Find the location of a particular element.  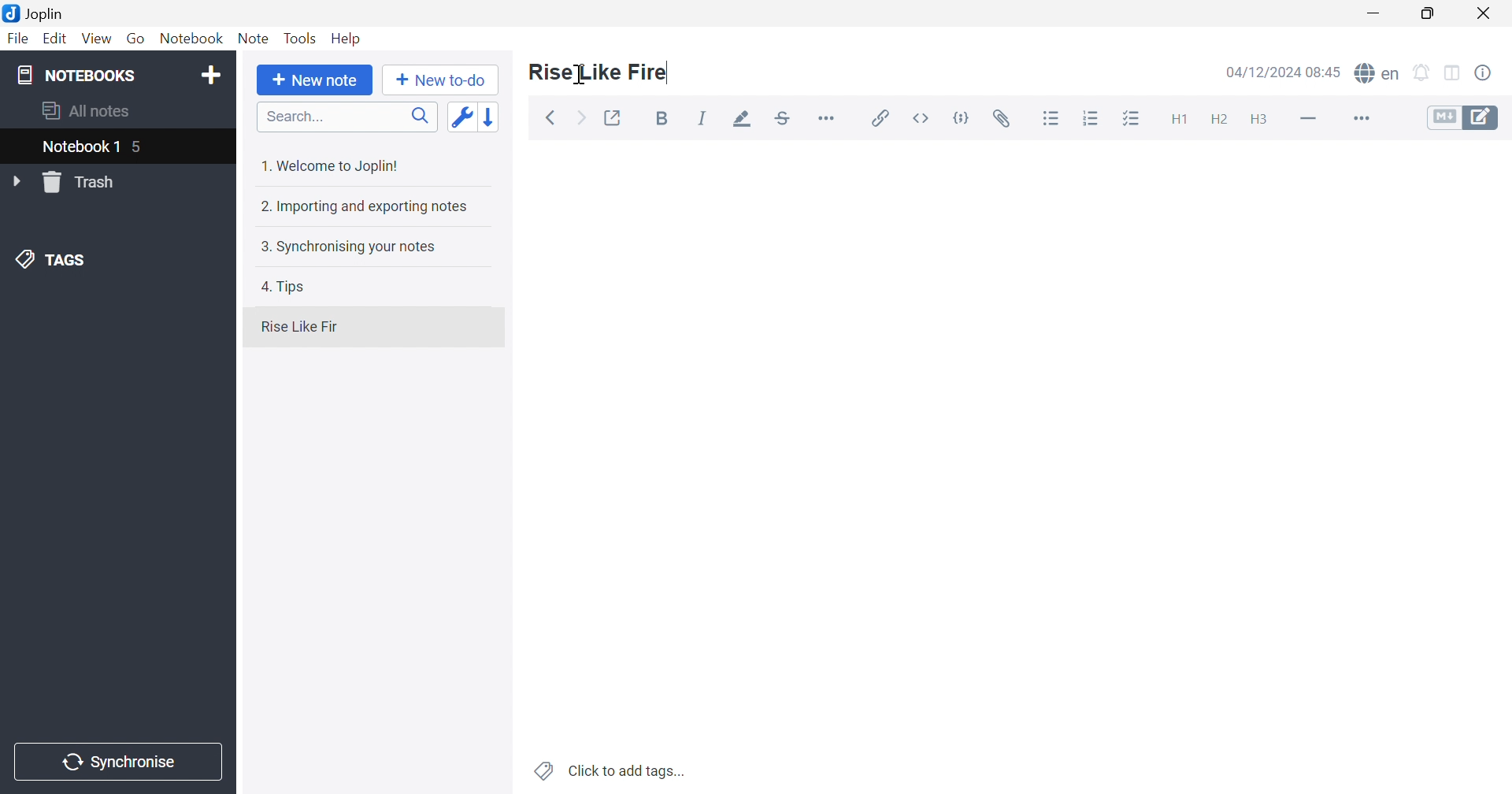

Restore Down is located at coordinates (1431, 14).